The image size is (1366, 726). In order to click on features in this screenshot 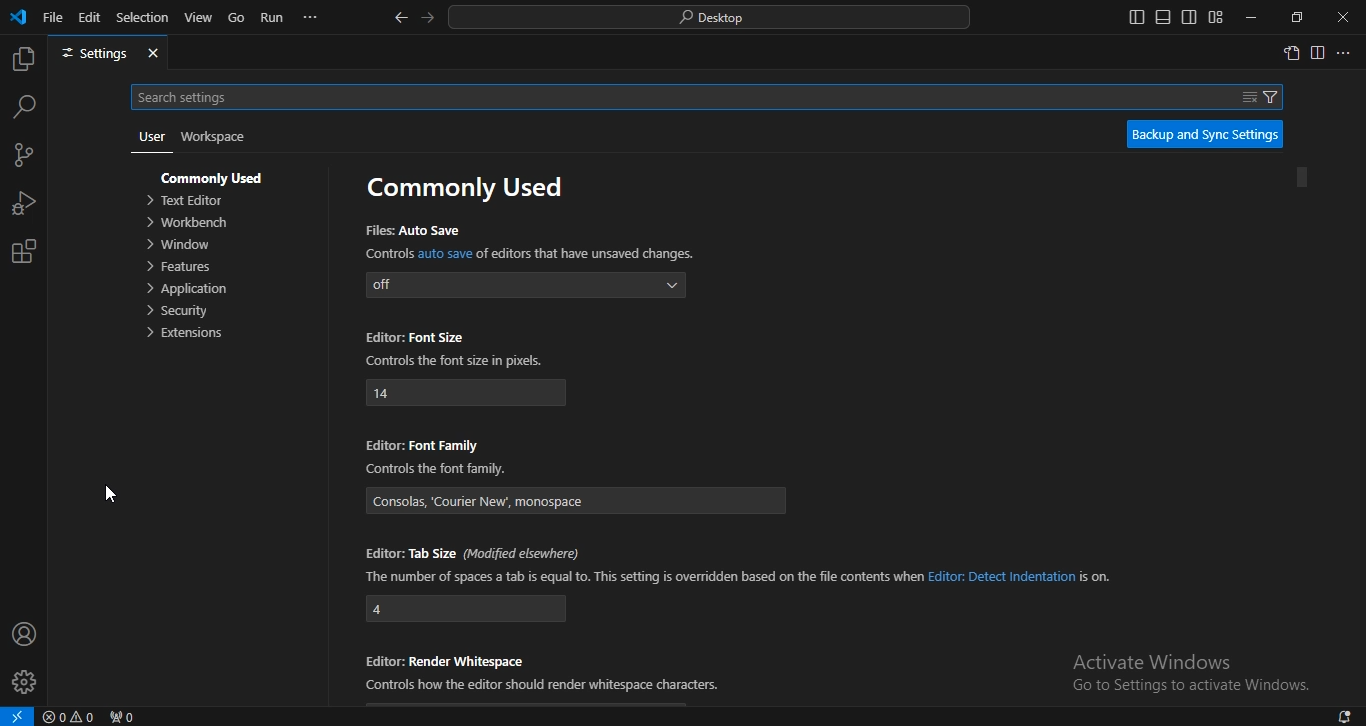, I will do `click(181, 267)`.